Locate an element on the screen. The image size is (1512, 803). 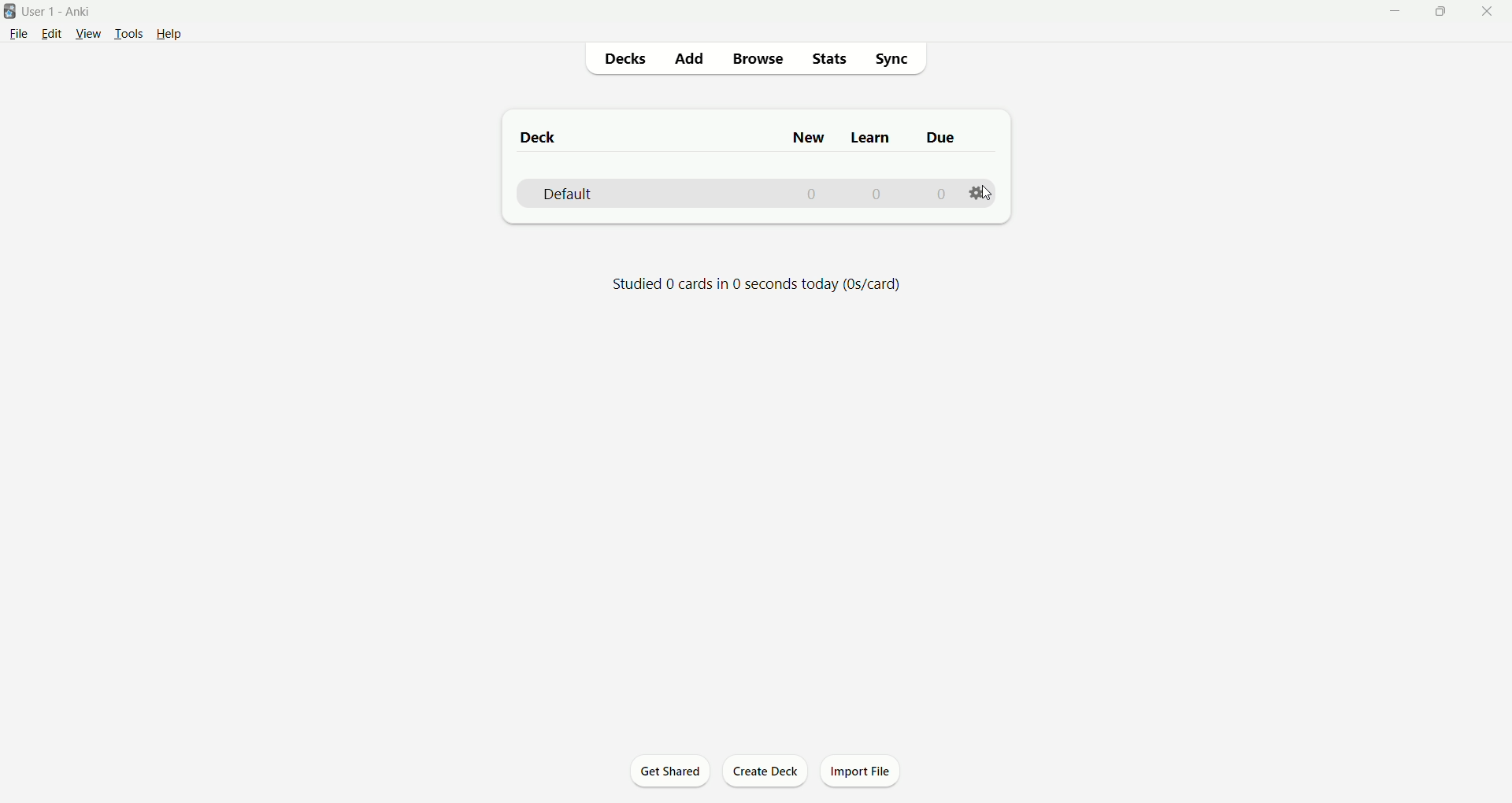
deck is located at coordinates (540, 136).